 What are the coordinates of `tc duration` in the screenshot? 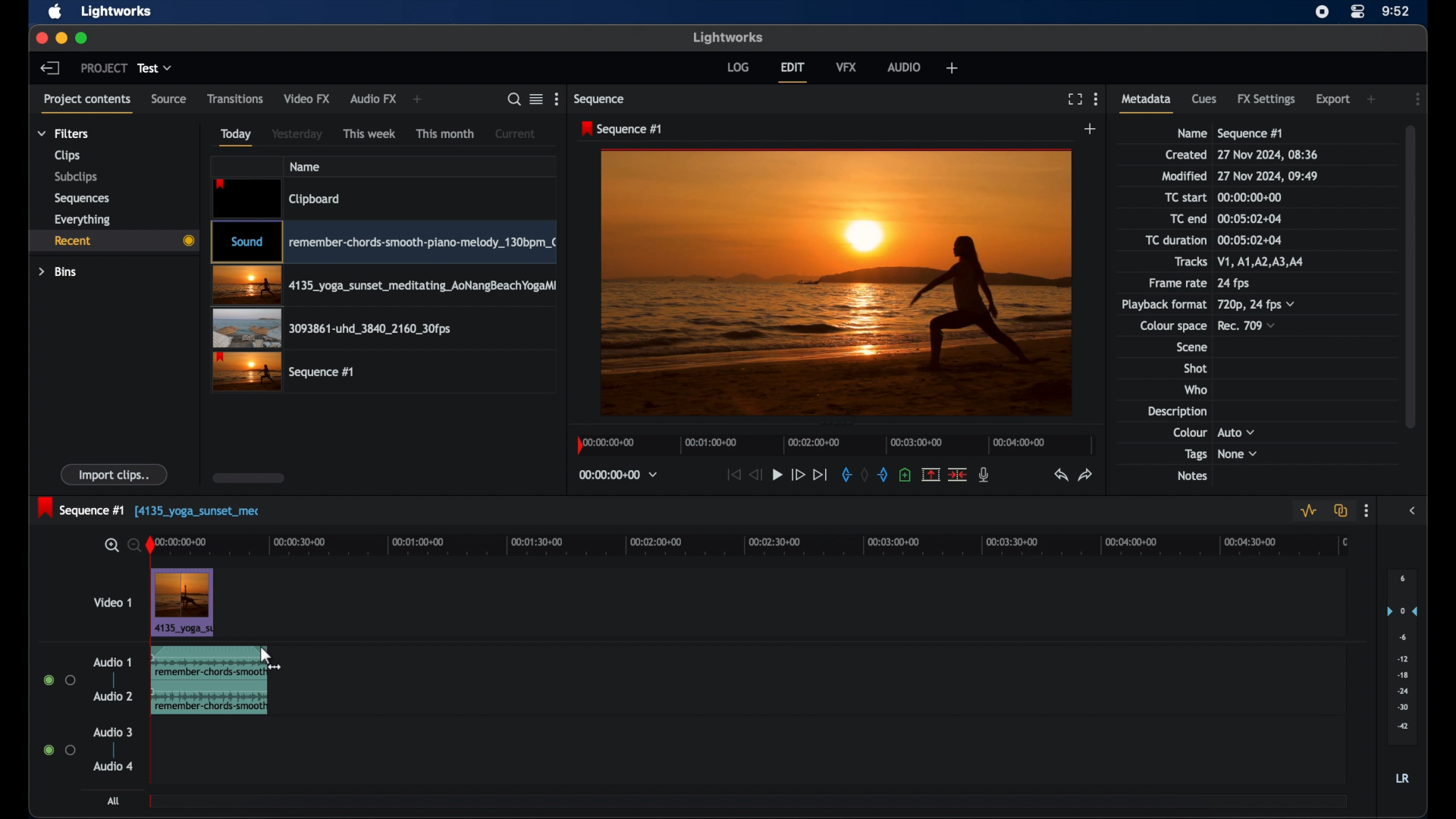 It's located at (1248, 240).